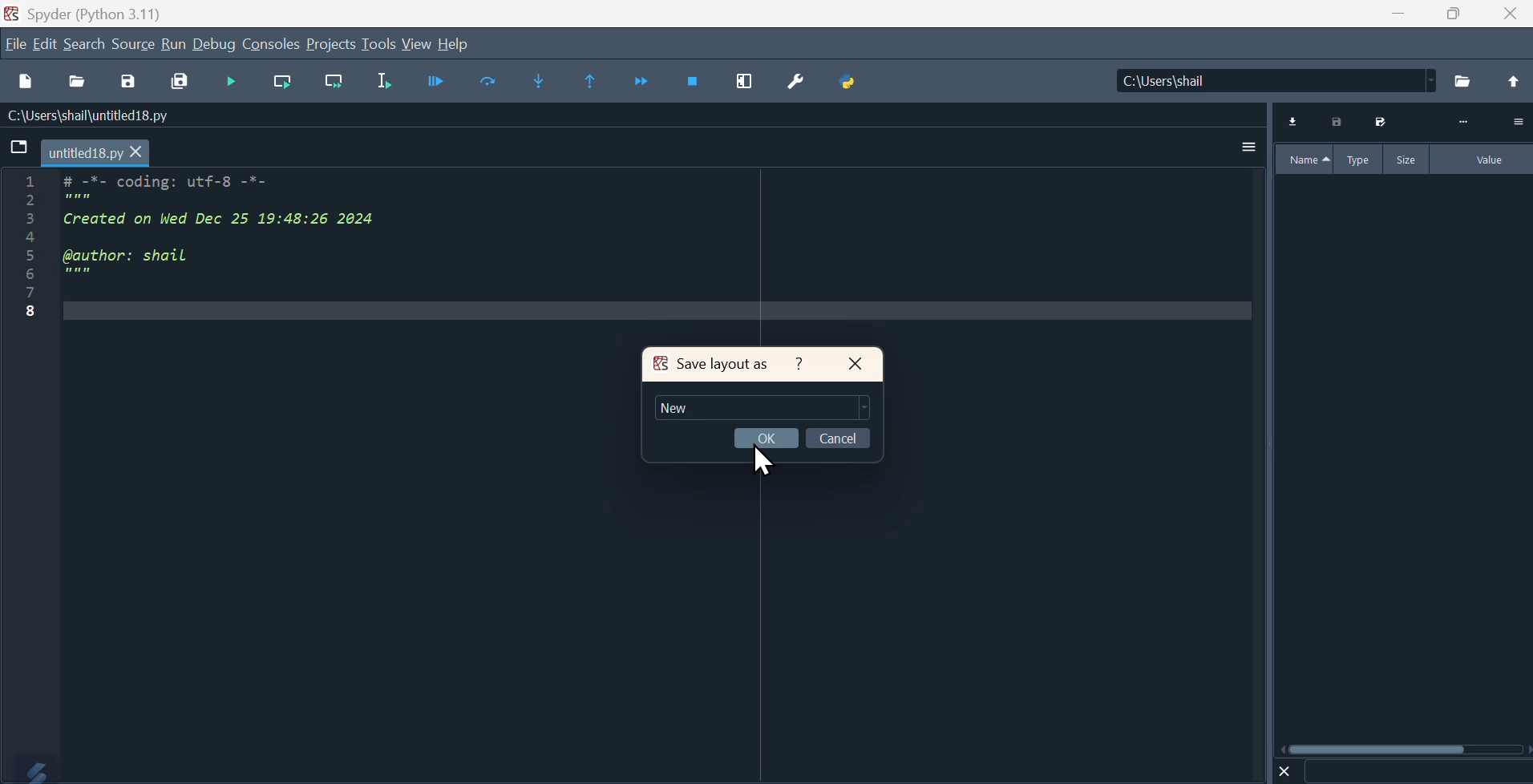 The width and height of the screenshot is (1533, 784). I want to click on Run current salon go to the next one, so click(334, 82).